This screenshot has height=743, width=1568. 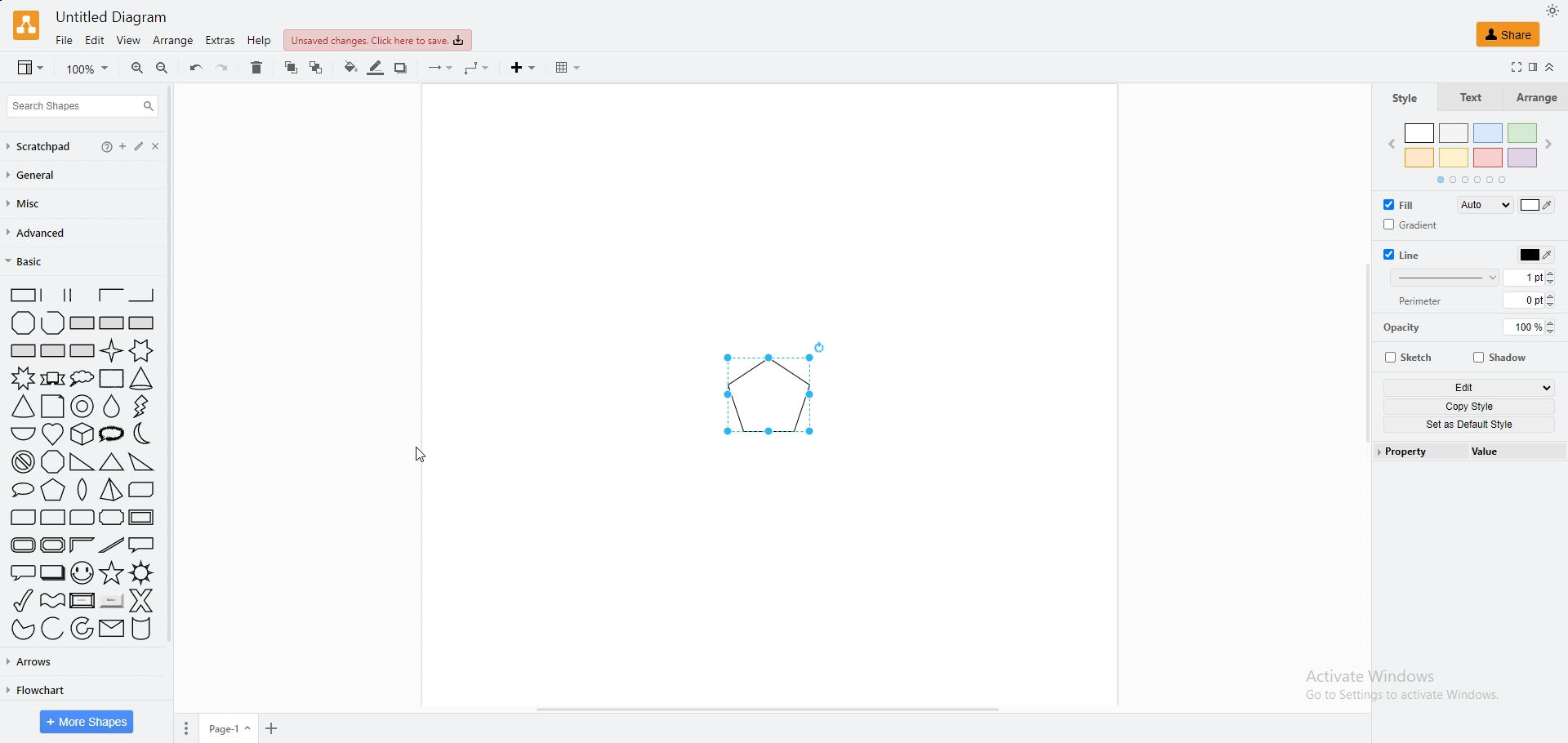 What do you see at coordinates (317, 68) in the screenshot?
I see `to back` at bounding box center [317, 68].